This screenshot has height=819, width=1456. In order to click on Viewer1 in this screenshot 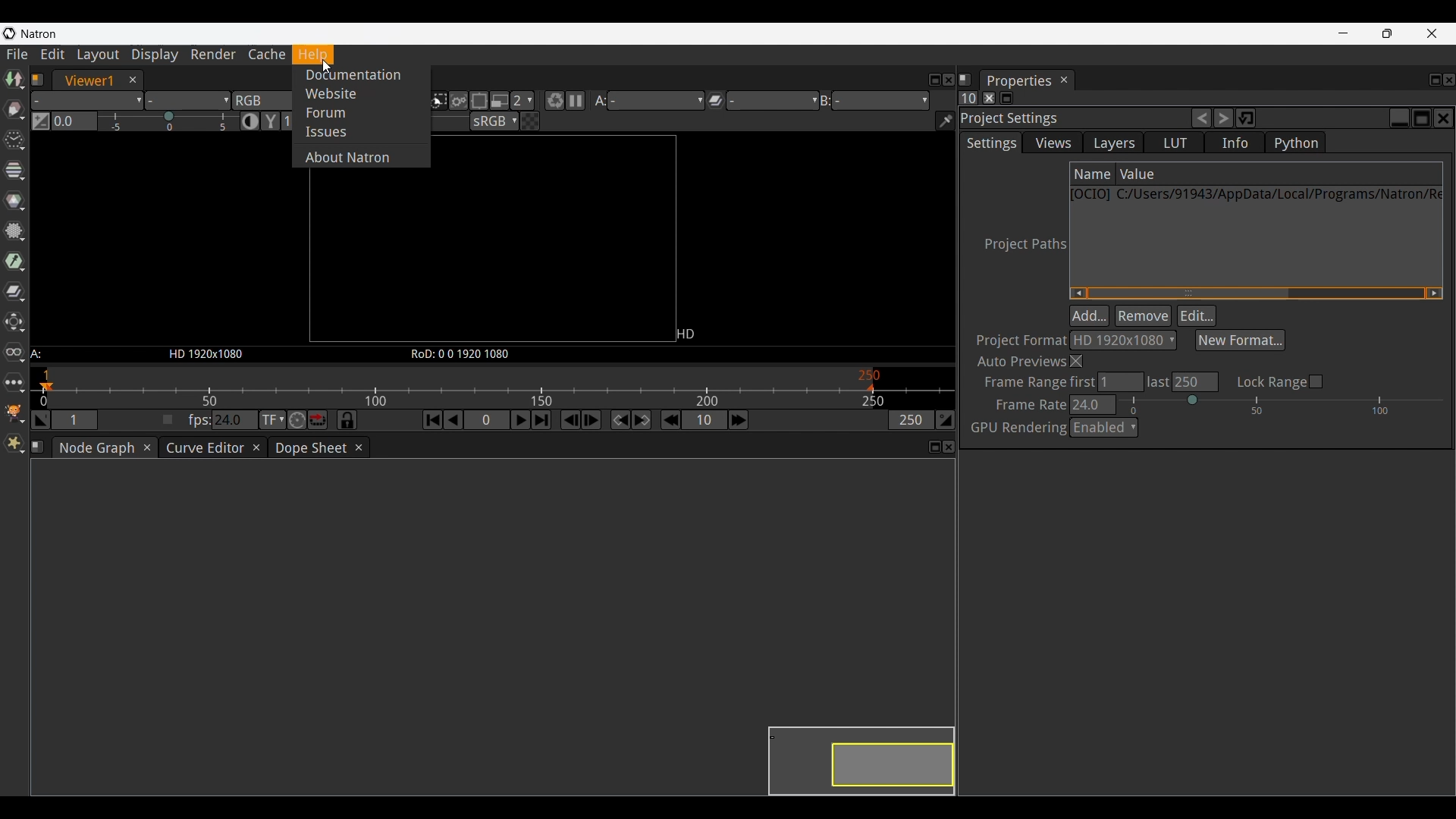, I will do `click(85, 80)`.